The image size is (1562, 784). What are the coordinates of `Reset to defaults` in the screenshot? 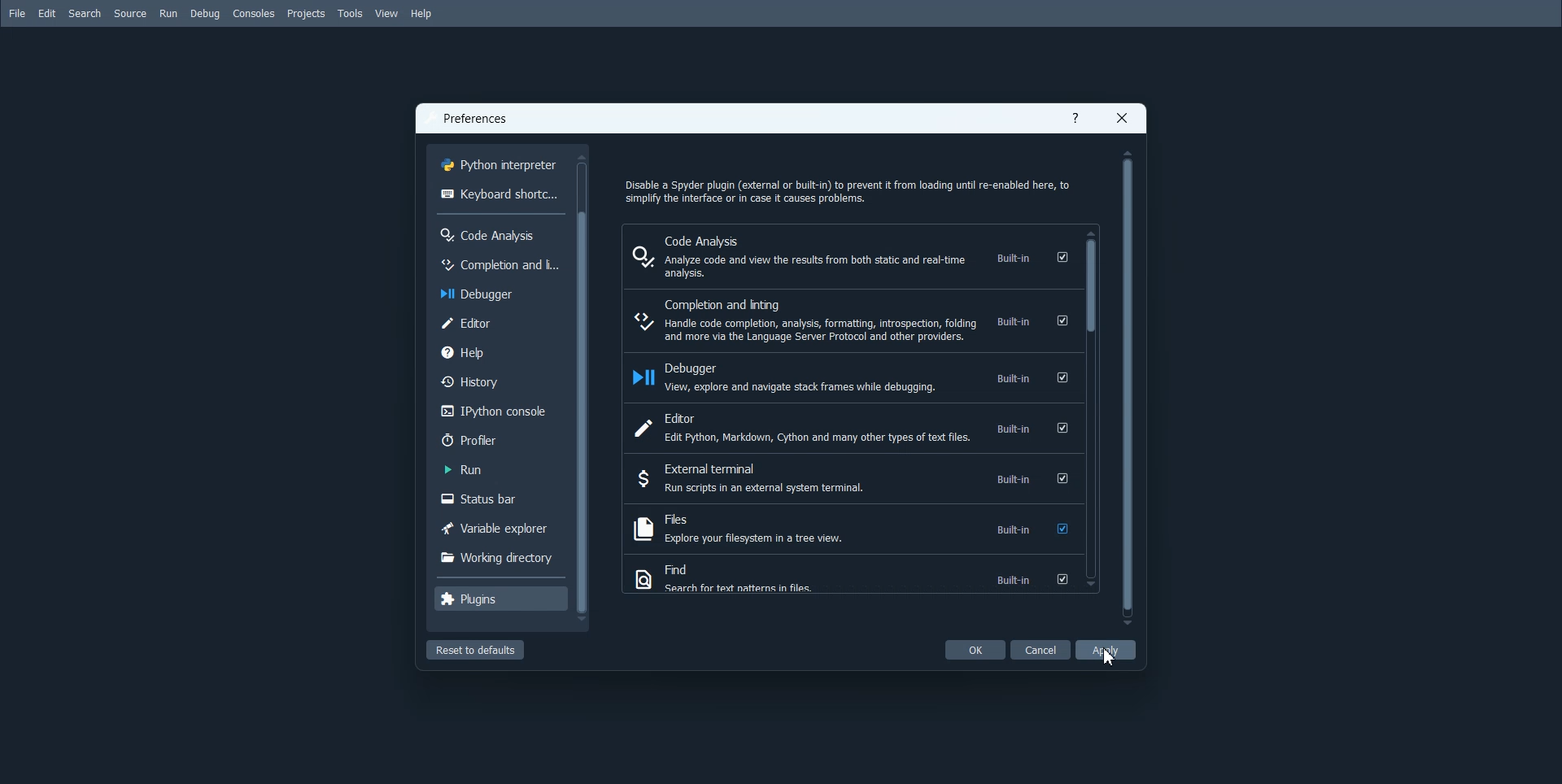 It's located at (474, 649).